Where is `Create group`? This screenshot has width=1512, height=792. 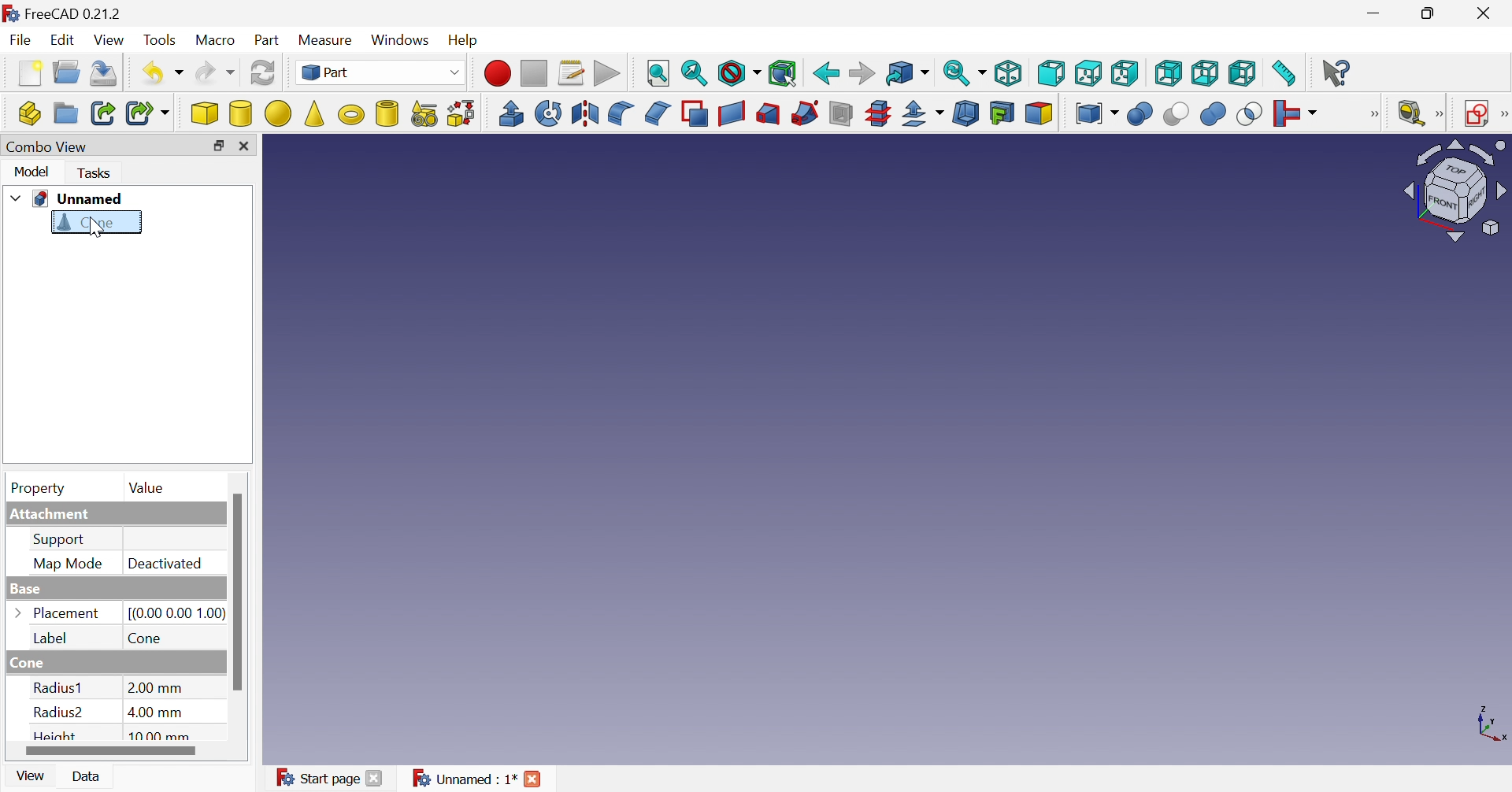 Create group is located at coordinates (65, 113).